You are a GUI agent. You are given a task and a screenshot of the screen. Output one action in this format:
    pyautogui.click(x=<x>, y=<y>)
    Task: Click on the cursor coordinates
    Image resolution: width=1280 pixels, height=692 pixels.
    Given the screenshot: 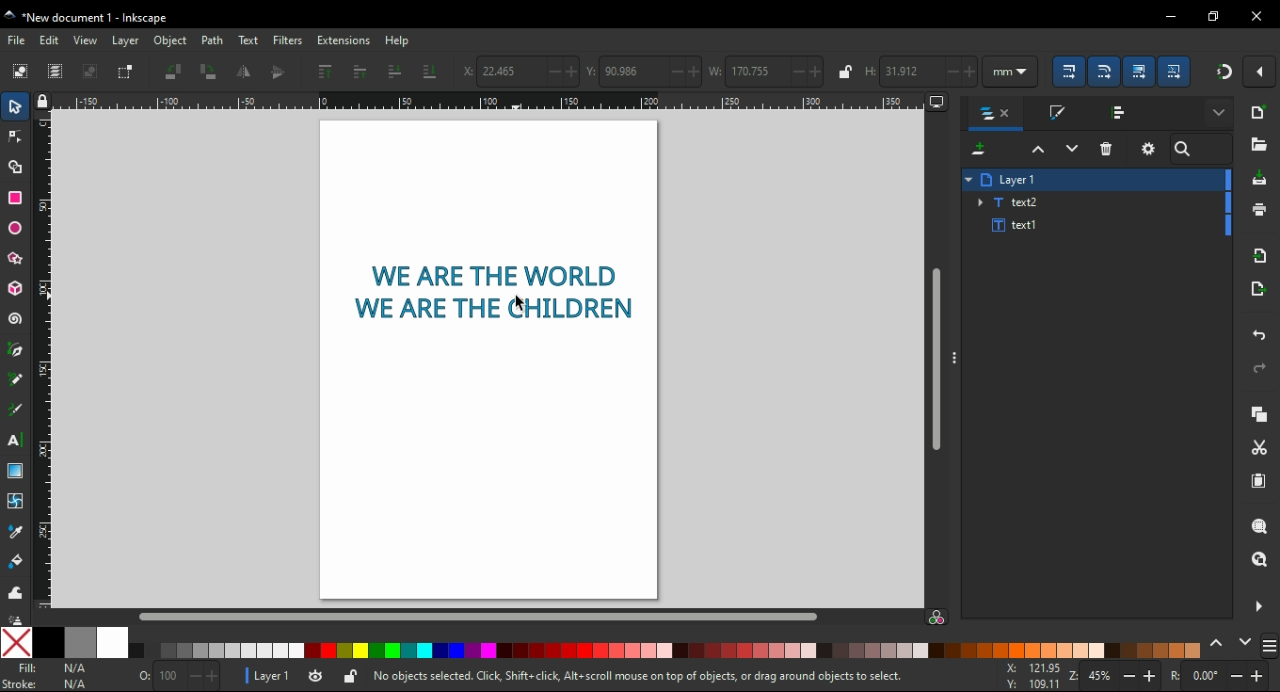 What is the action you would take?
    pyautogui.click(x=1035, y=676)
    